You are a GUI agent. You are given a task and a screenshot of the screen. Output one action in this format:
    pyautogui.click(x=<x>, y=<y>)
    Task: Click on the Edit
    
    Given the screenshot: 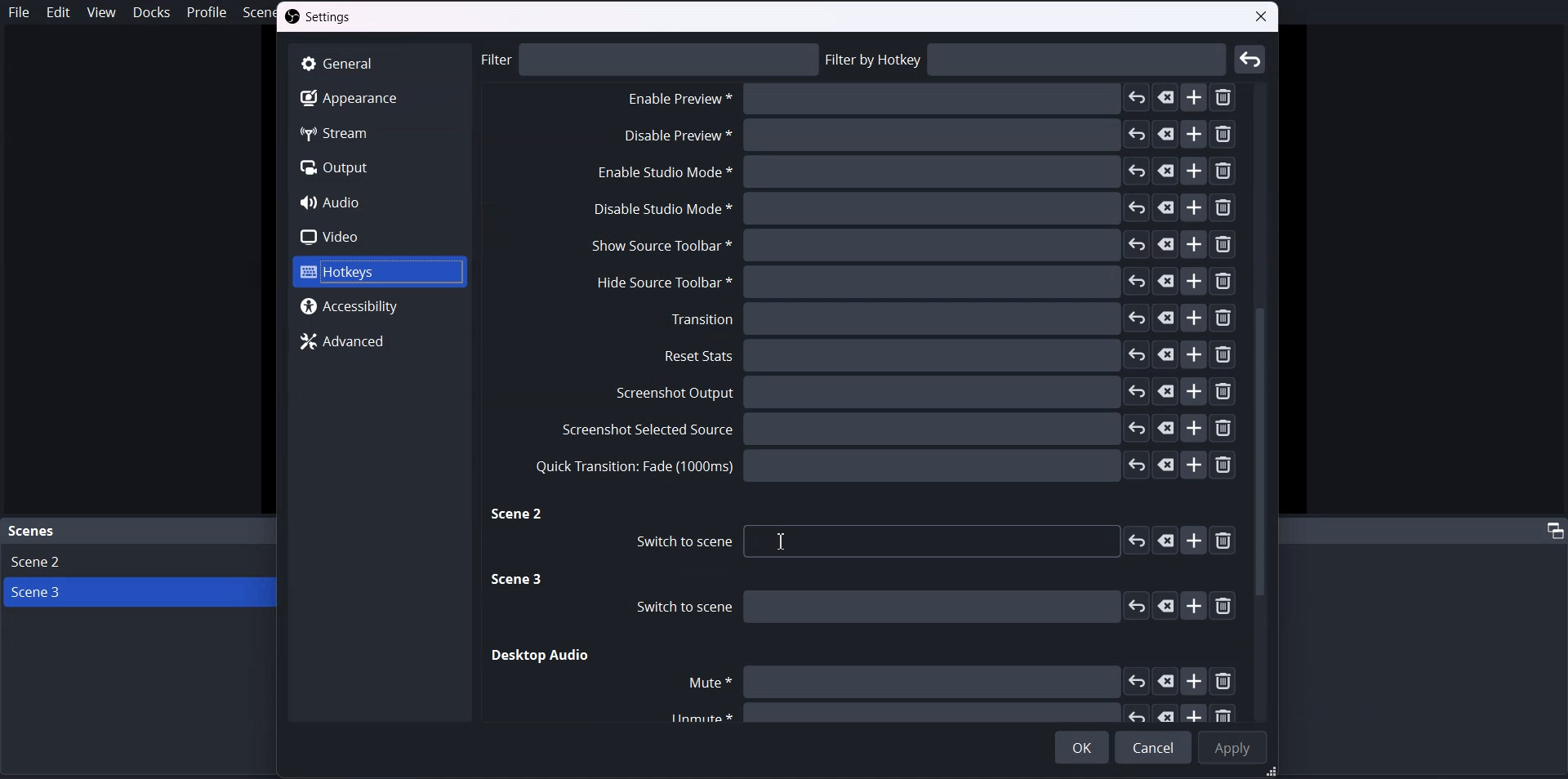 What is the action you would take?
    pyautogui.click(x=58, y=12)
    